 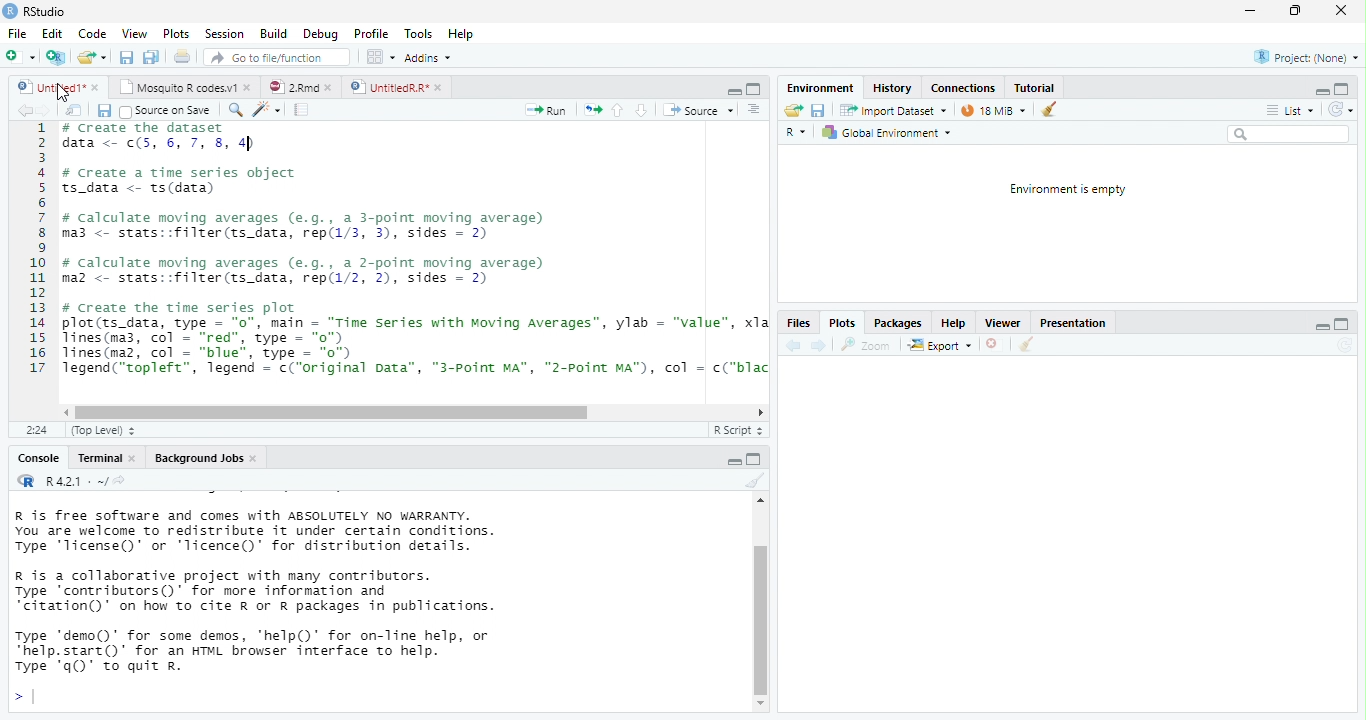 I want to click on print current file, so click(x=151, y=57).